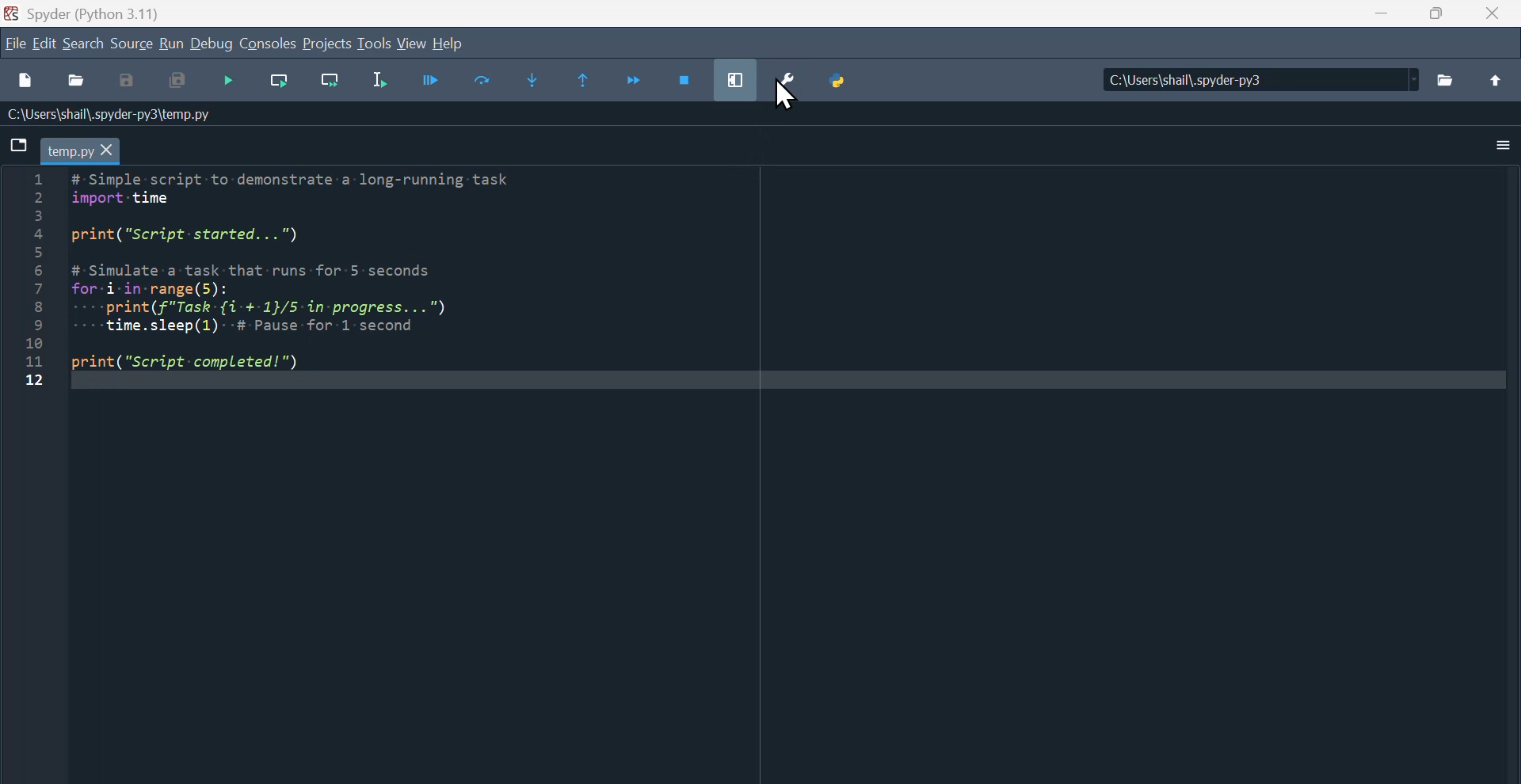 The height and width of the screenshot is (784, 1521). Describe the element at coordinates (1379, 17) in the screenshot. I see `minimise` at that location.